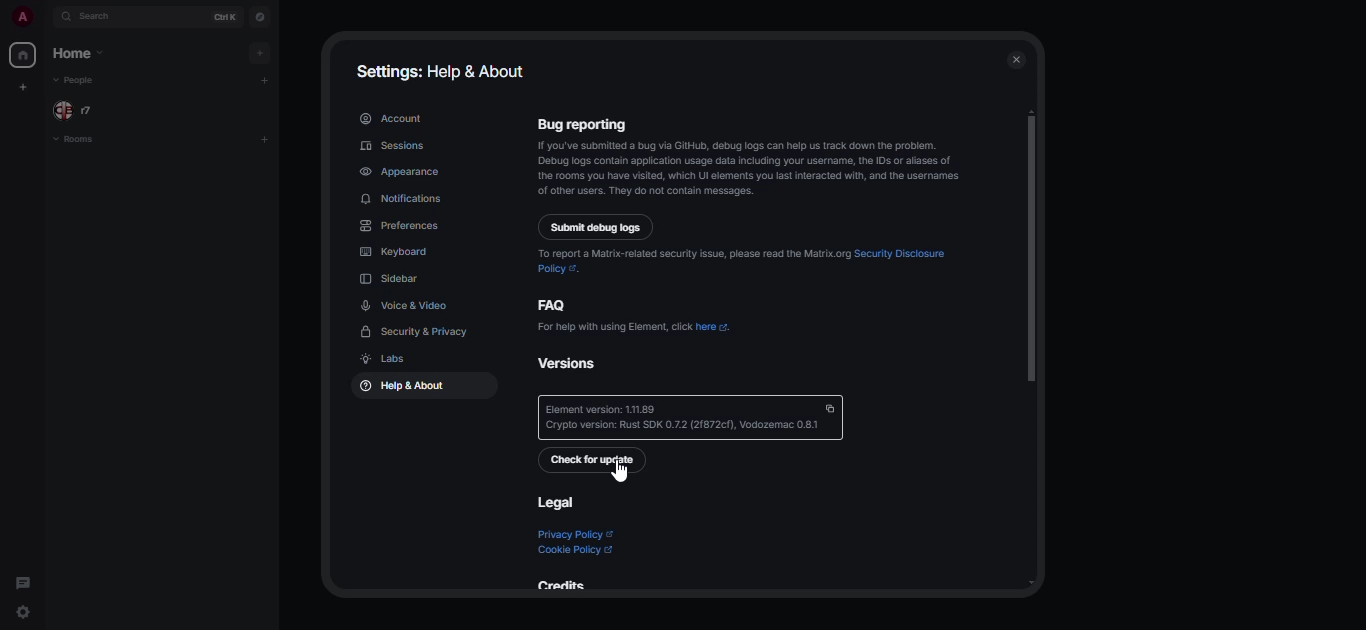  What do you see at coordinates (392, 278) in the screenshot?
I see `sidebar` at bounding box center [392, 278].